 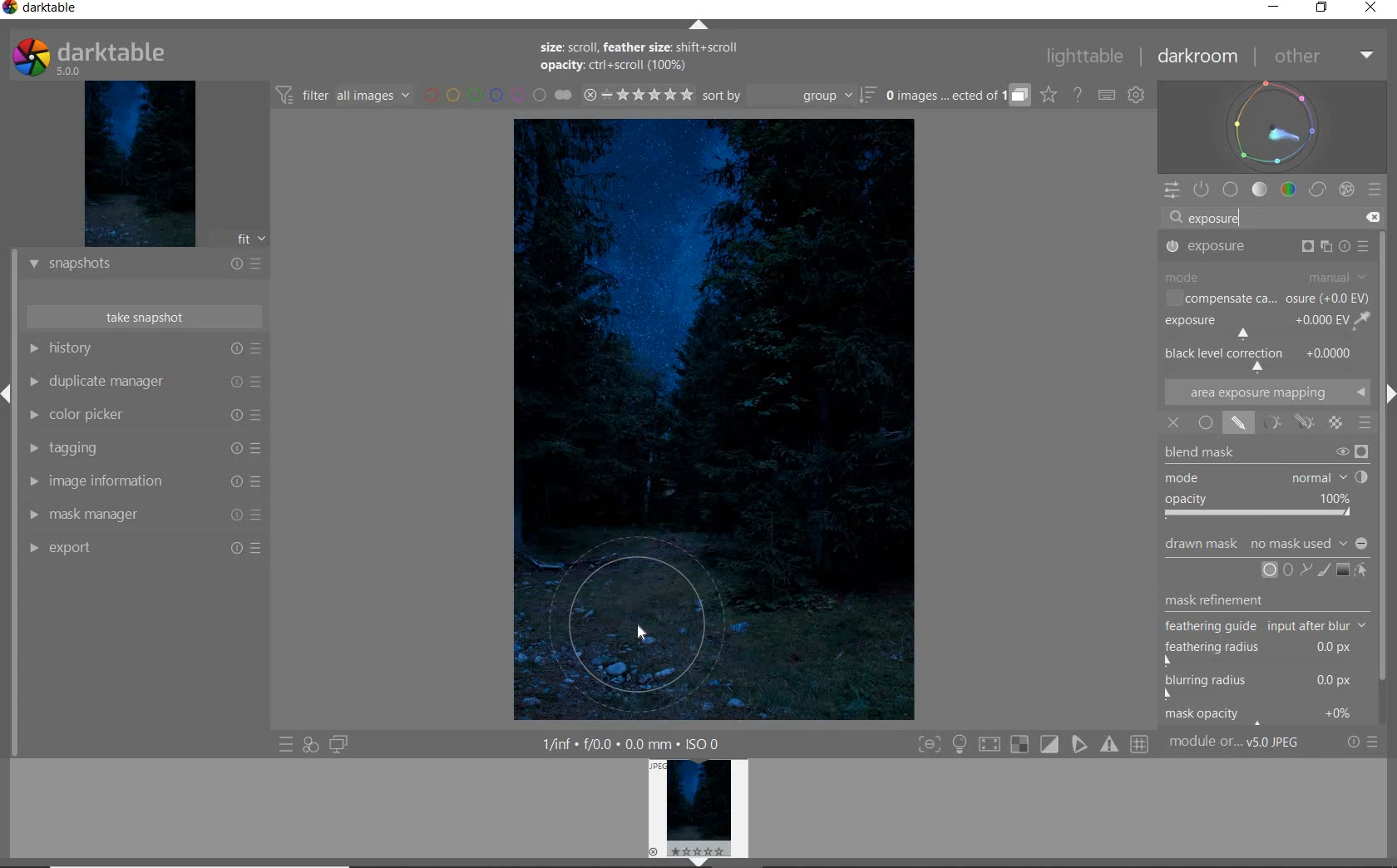 What do you see at coordinates (1107, 96) in the screenshot?
I see `SET KEYBOARD SHORTCUTS` at bounding box center [1107, 96].